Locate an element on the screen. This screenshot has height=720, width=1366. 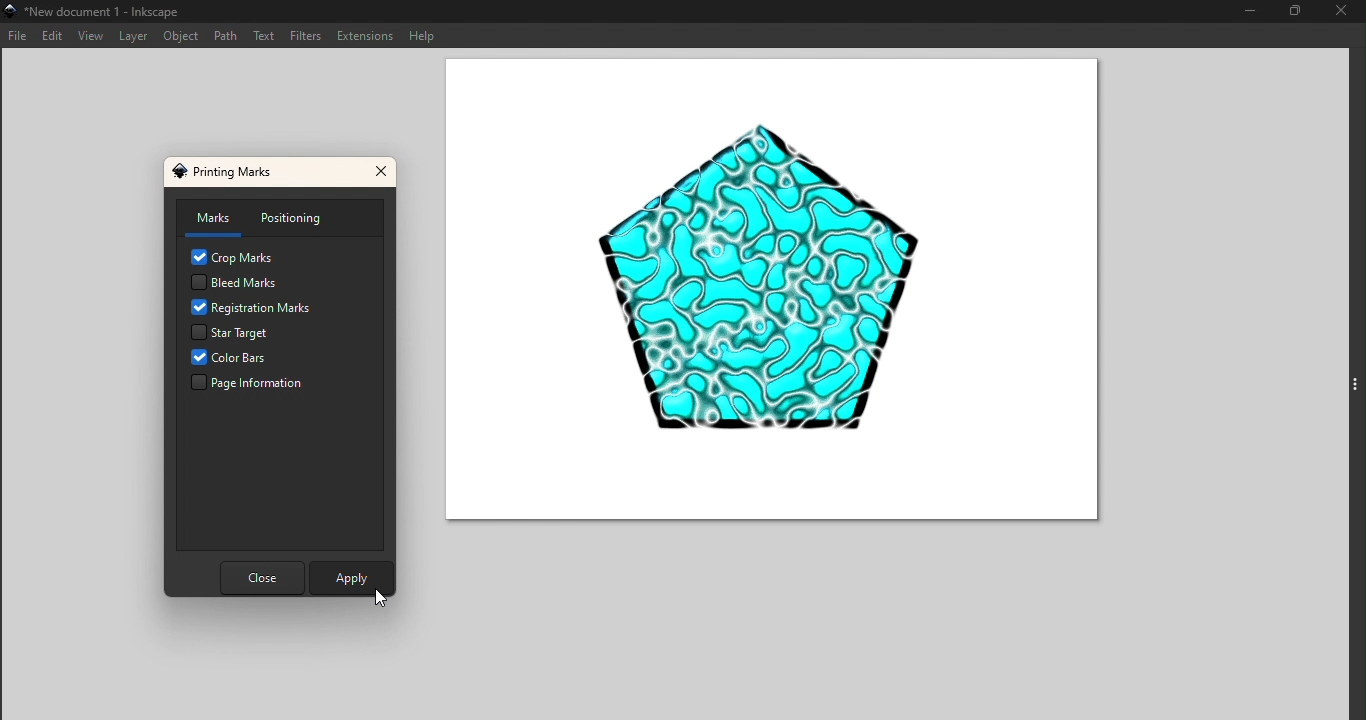
Filters is located at coordinates (307, 37).